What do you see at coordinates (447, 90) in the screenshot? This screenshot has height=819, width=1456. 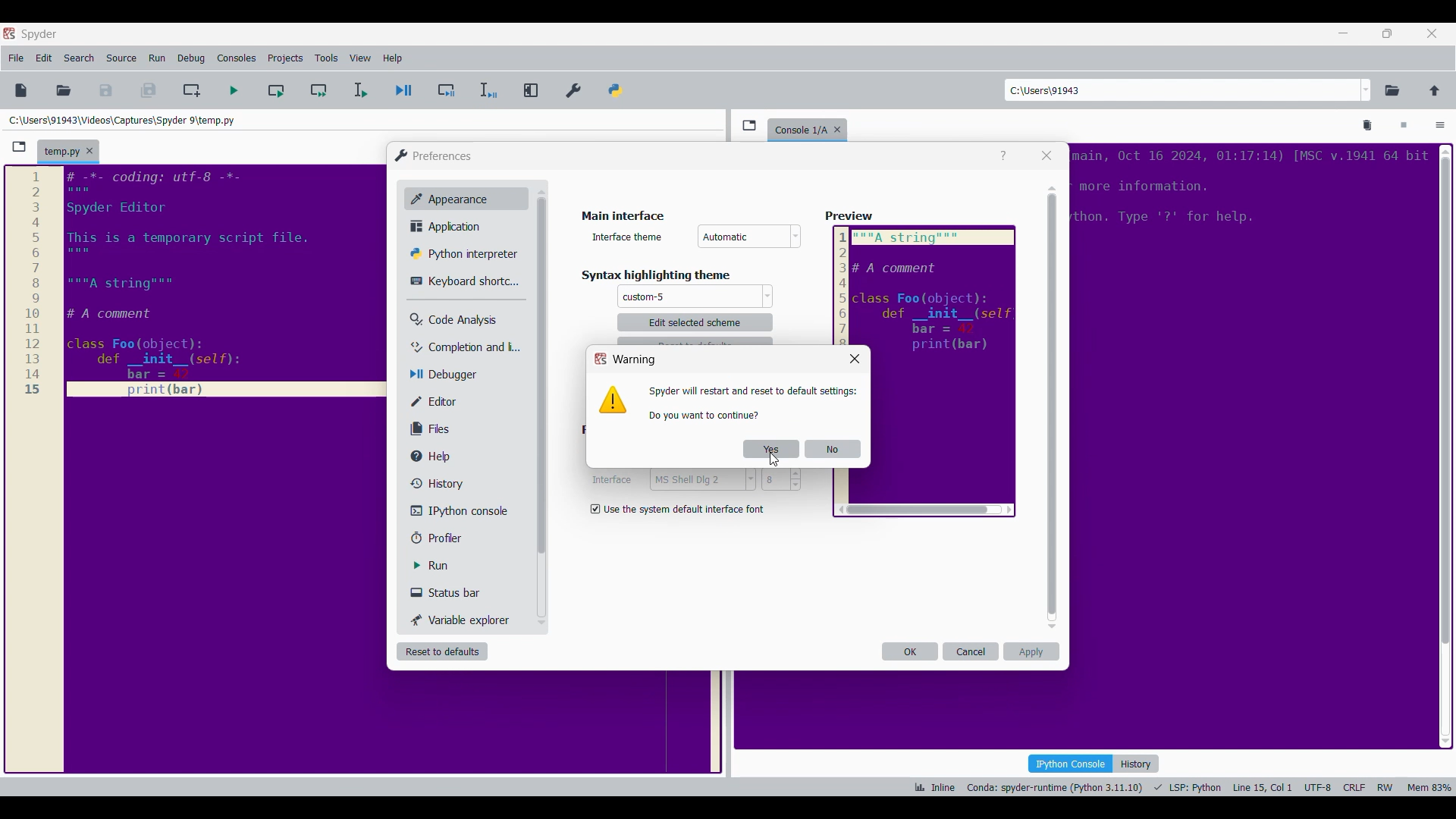 I see `Debug cell` at bounding box center [447, 90].